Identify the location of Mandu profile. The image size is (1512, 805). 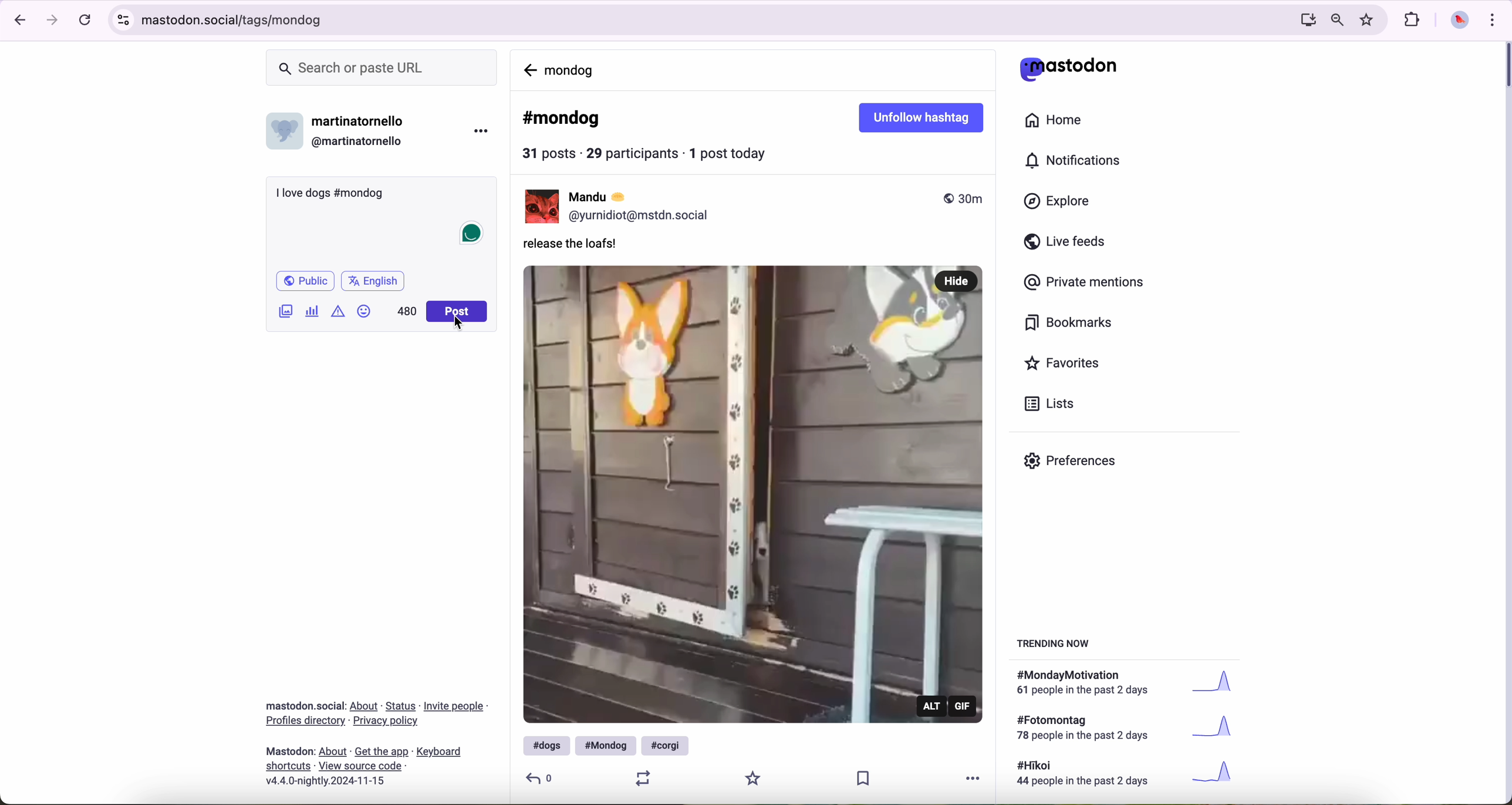
(539, 207).